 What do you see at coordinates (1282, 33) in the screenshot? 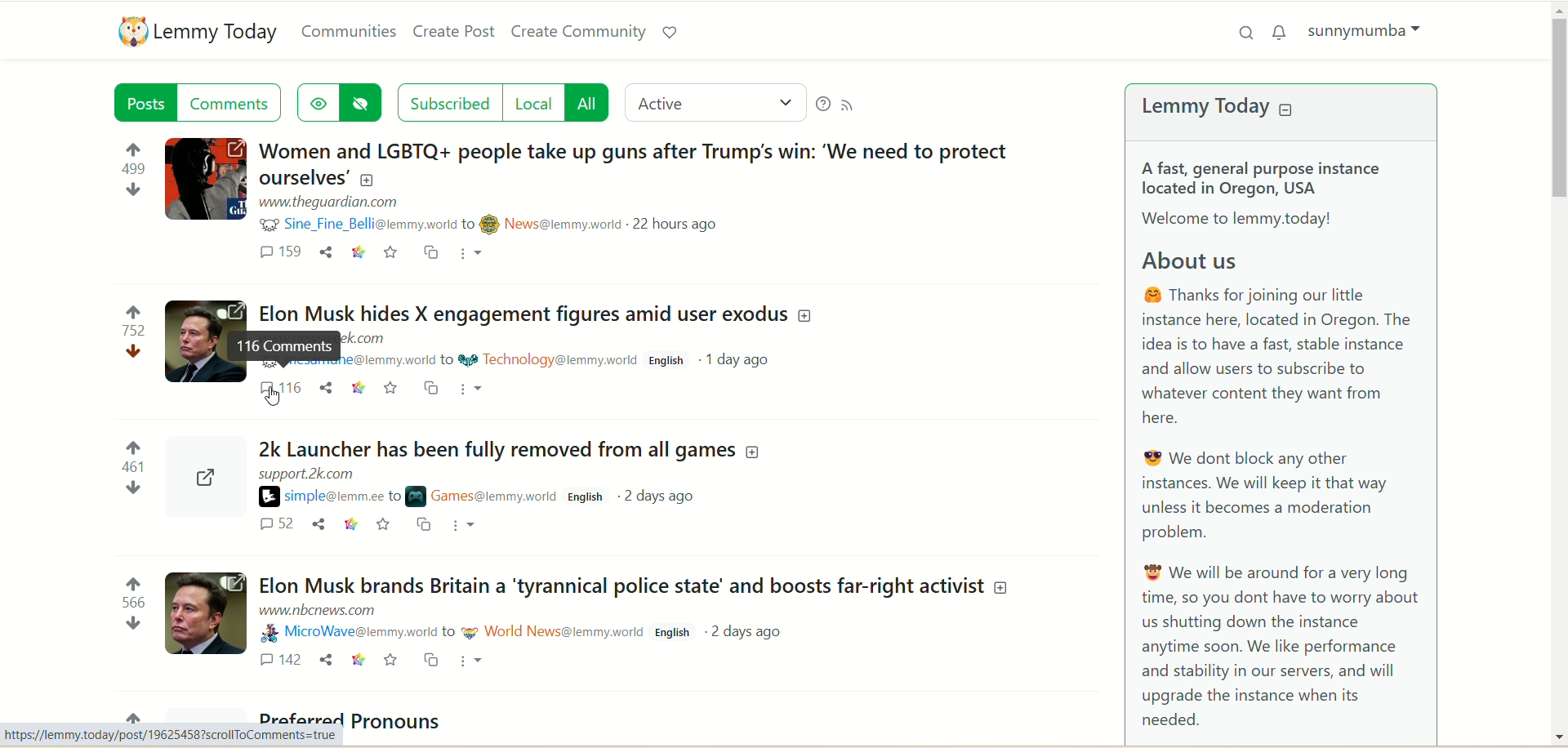
I see `unread messages` at bounding box center [1282, 33].